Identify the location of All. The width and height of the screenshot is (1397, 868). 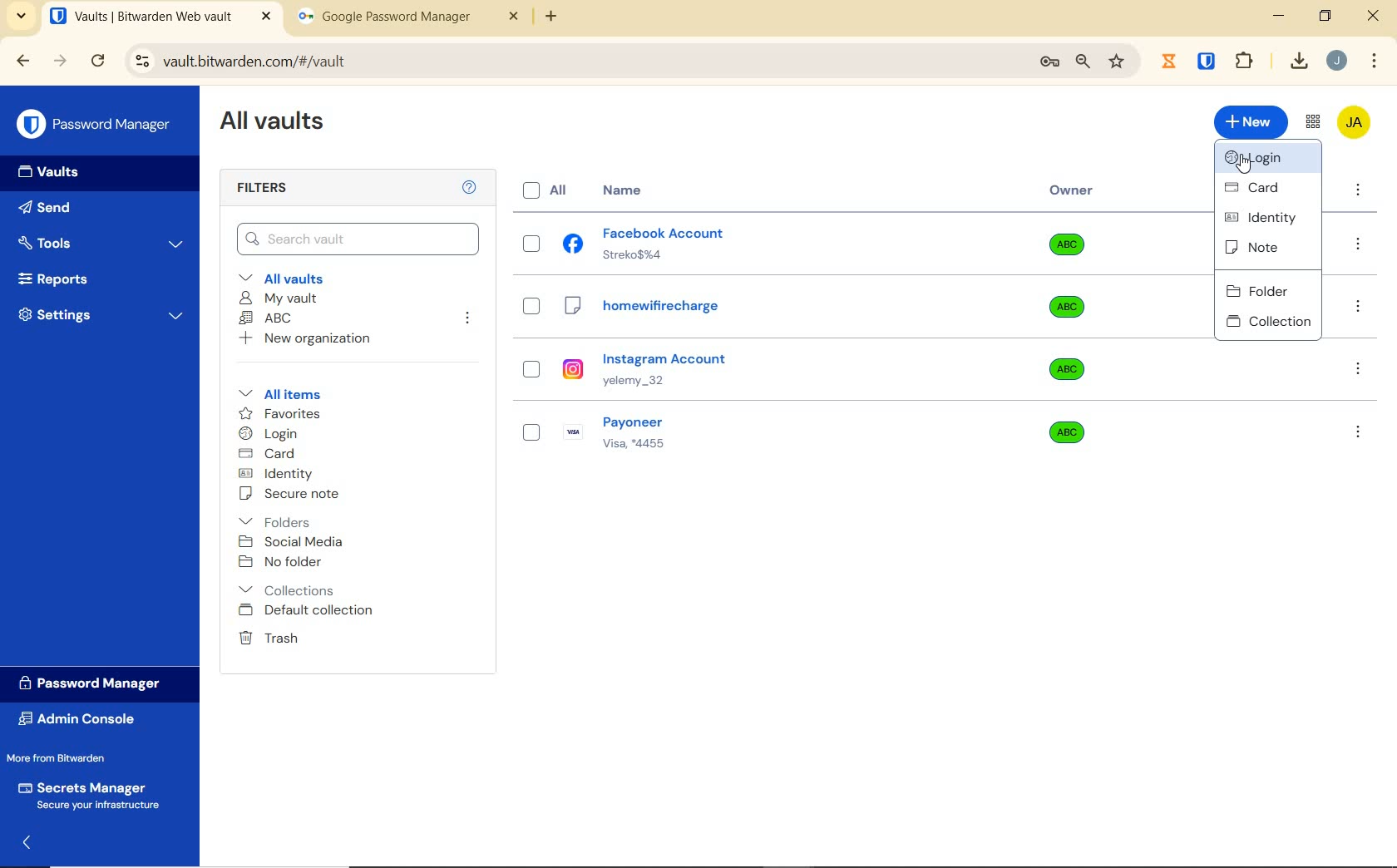
(538, 191).